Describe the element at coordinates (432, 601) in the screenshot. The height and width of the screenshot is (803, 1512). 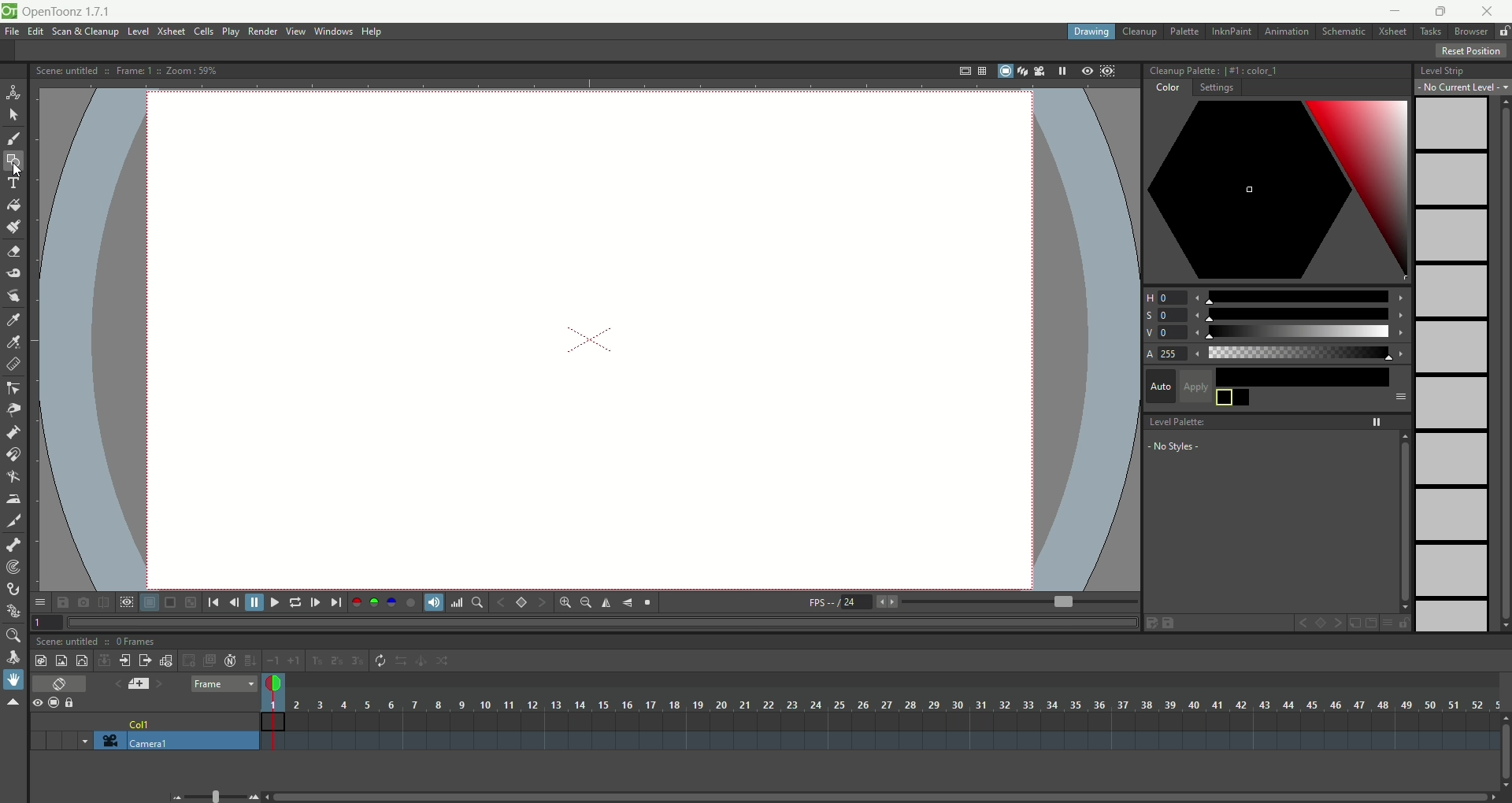
I see `soundtrack` at that location.